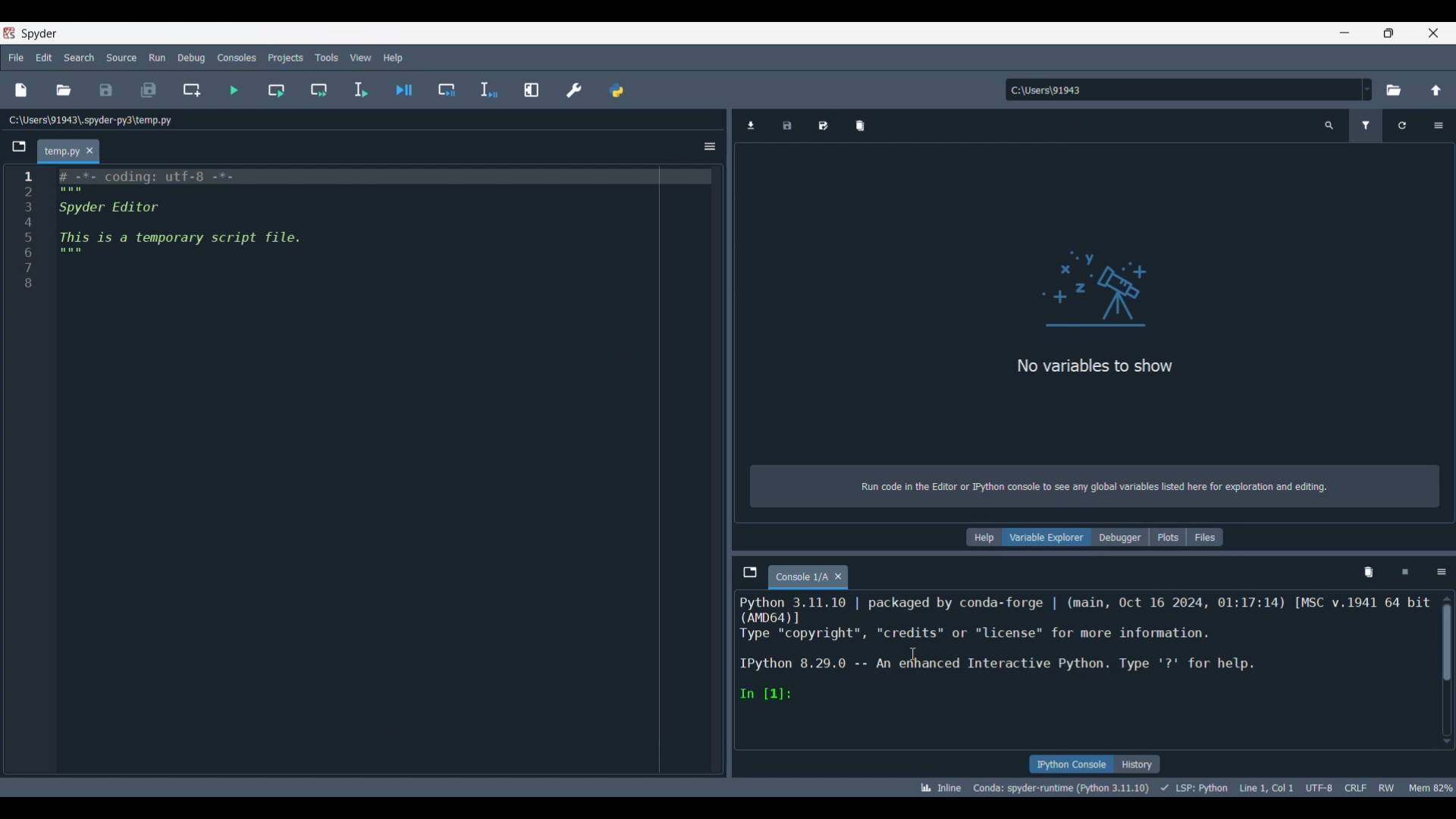 Image resolution: width=1456 pixels, height=819 pixels. Describe the element at coordinates (149, 90) in the screenshot. I see `Save all files` at that location.